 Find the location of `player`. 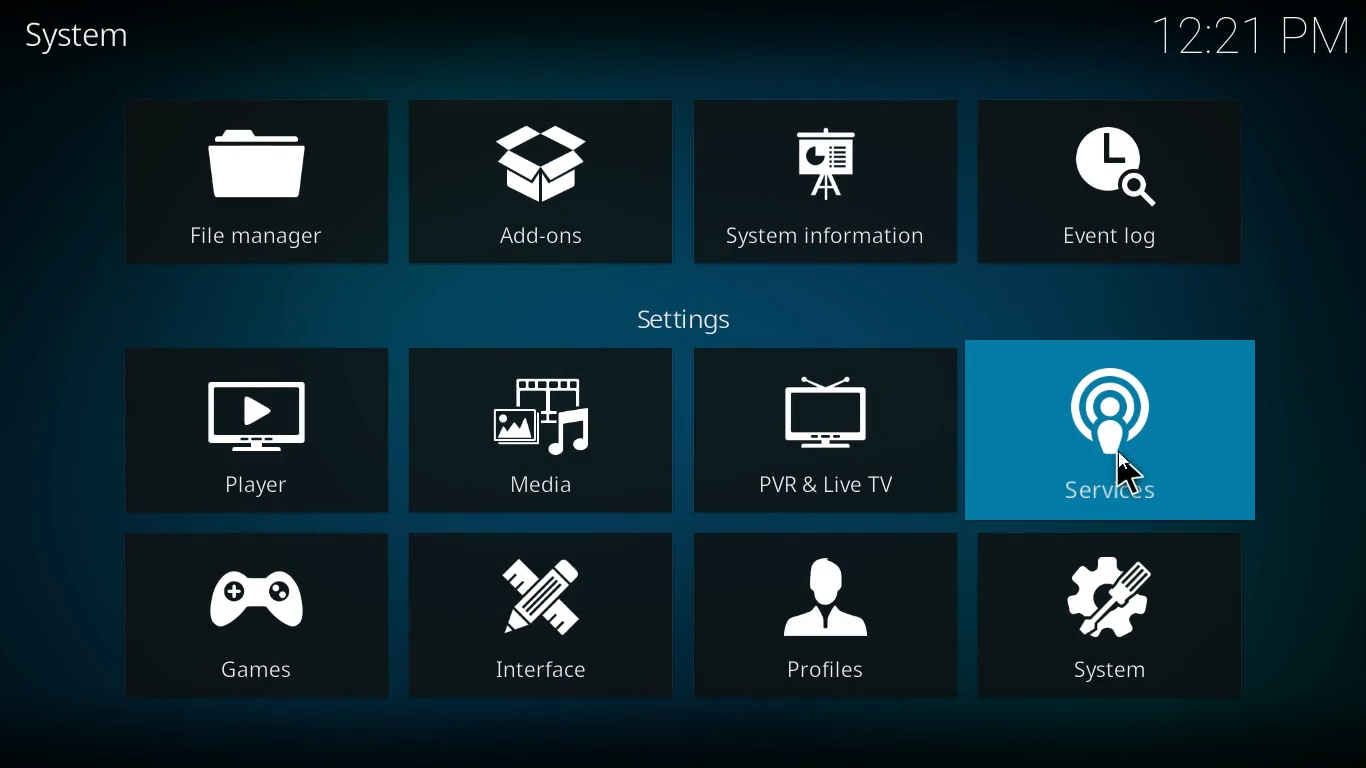

player is located at coordinates (255, 429).